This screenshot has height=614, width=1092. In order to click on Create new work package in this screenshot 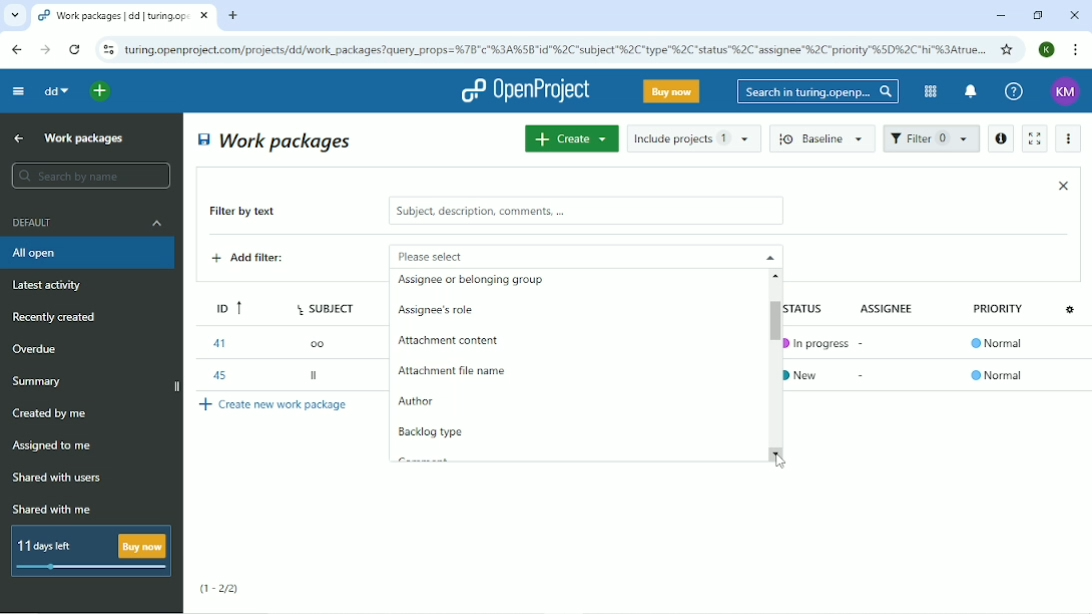, I will do `click(275, 404)`.